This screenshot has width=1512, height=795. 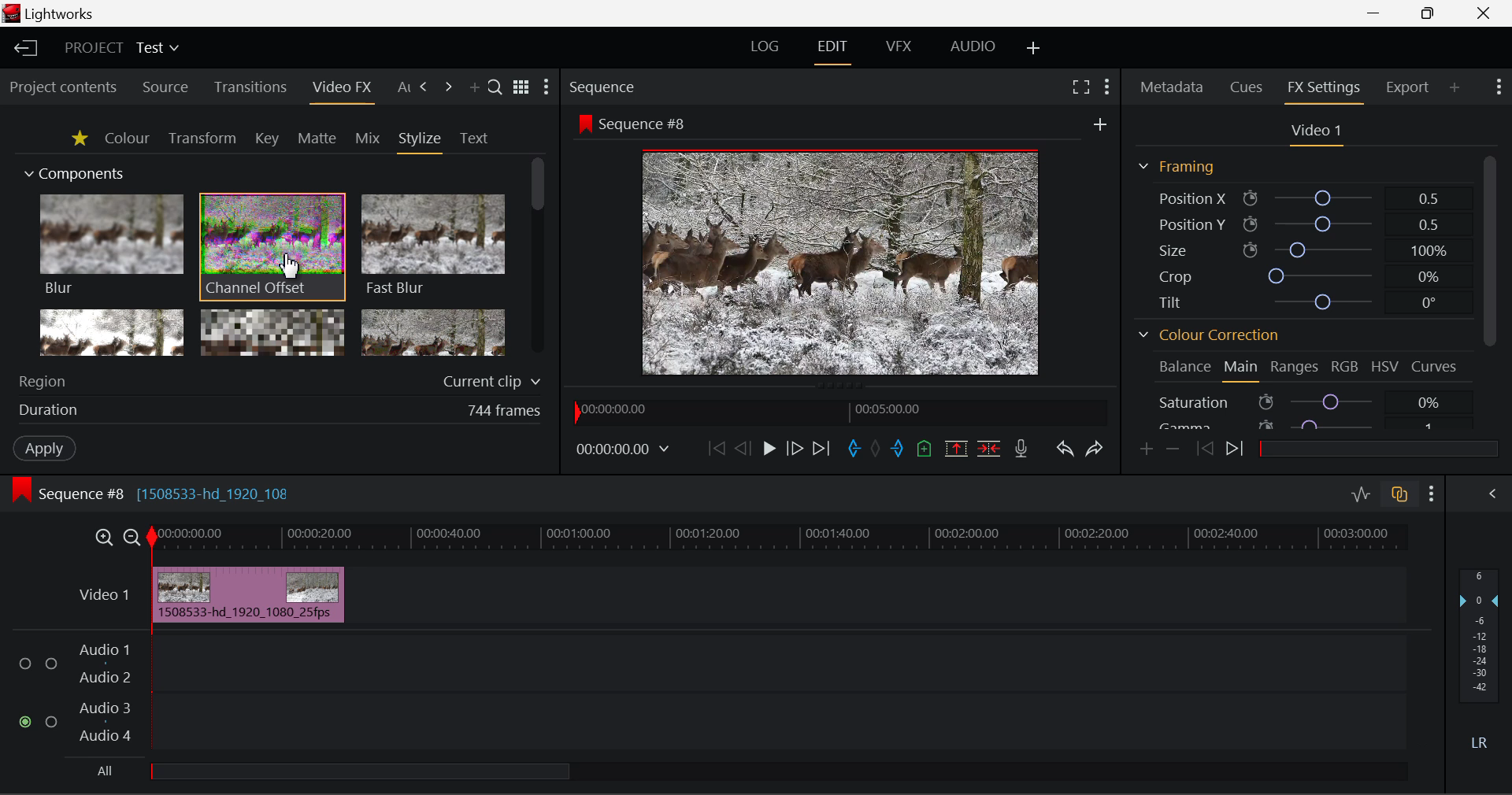 I want to click on Frame Time, so click(x=623, y=451).